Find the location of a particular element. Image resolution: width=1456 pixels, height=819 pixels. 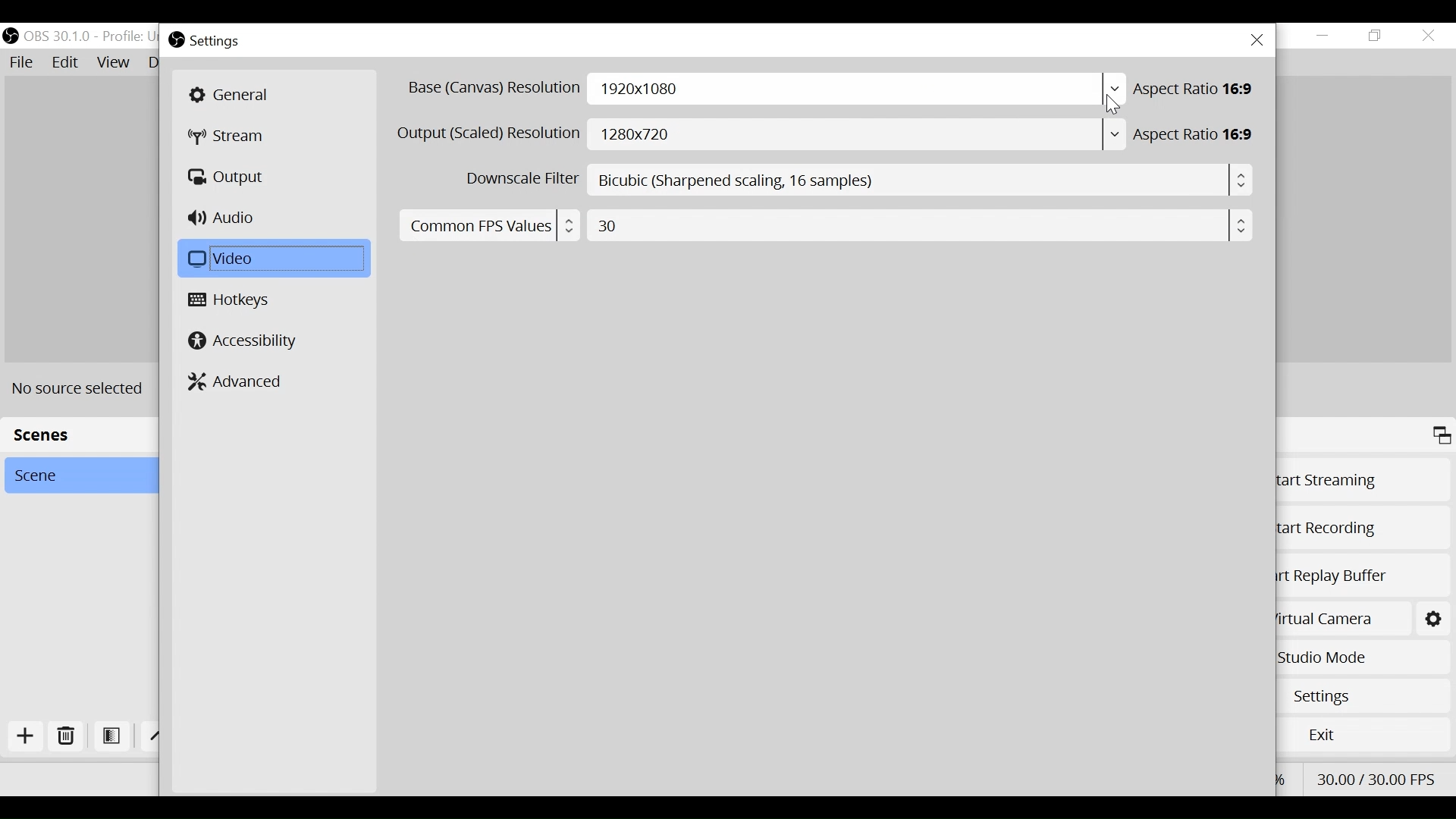

Close is located at coordinates (1257, 40).